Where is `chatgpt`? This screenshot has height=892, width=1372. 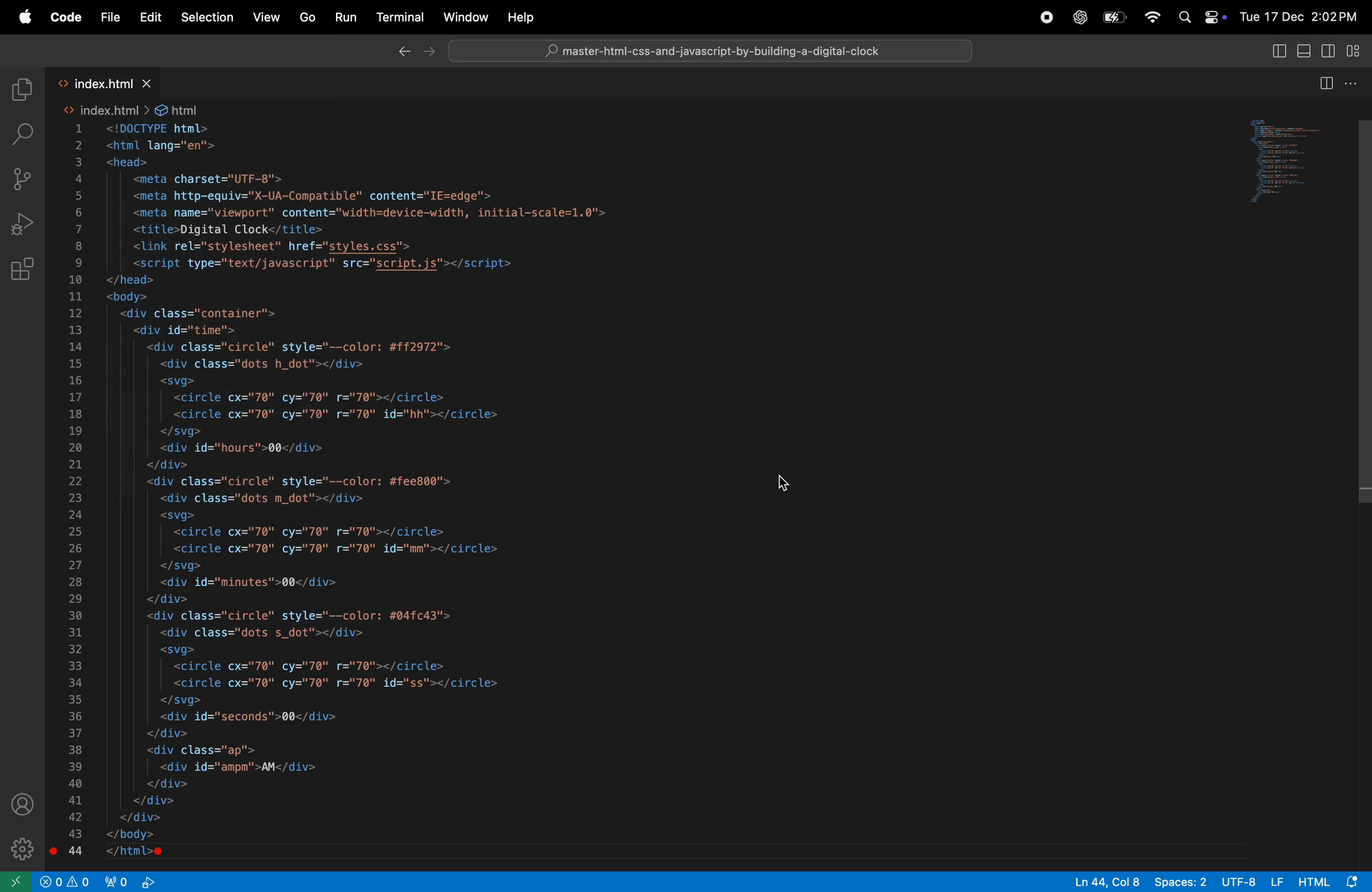
chatgpt is located at coordinates (1076, 17).